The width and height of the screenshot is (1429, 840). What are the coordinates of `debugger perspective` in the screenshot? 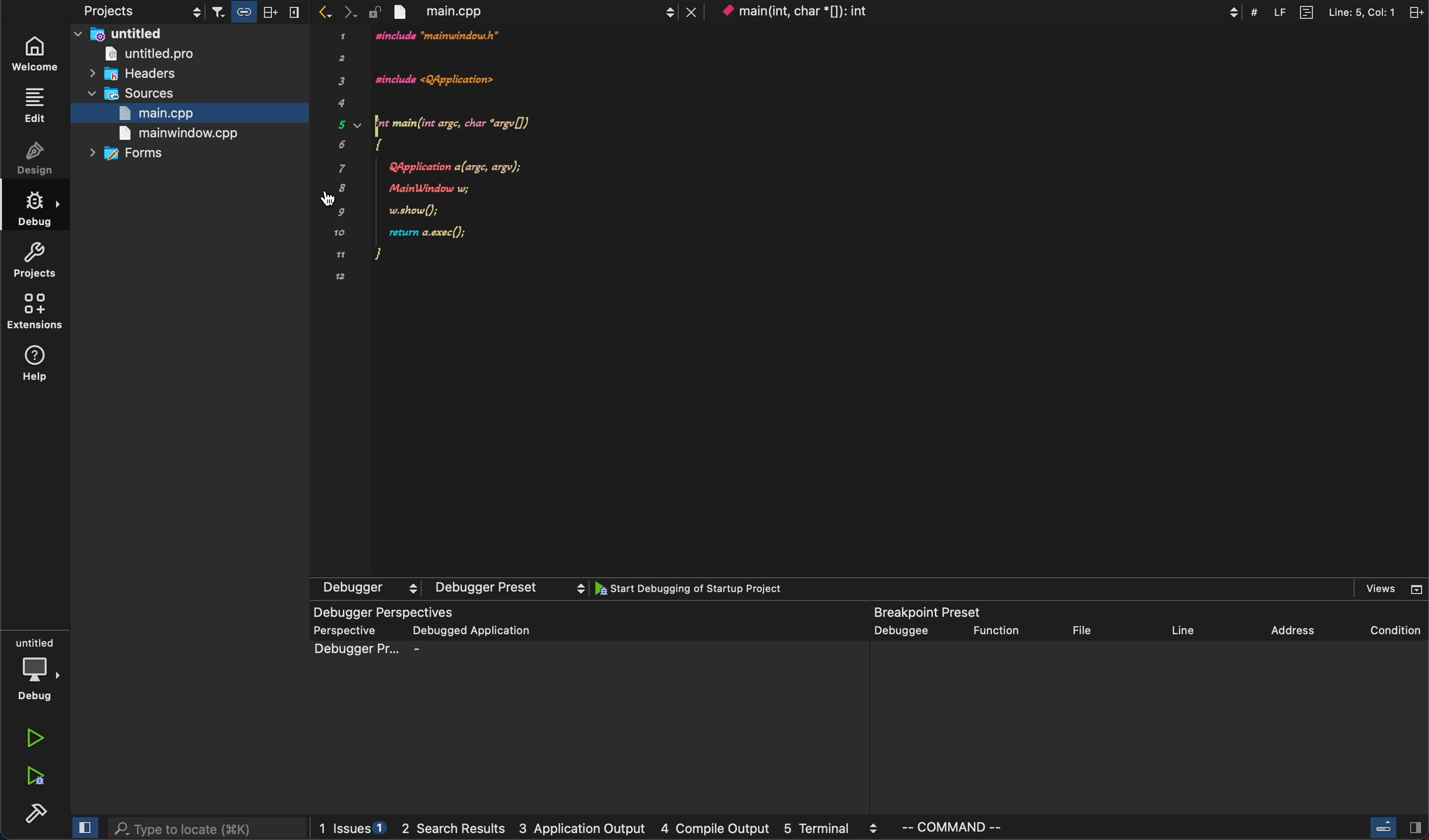 It's located at (587, 707).